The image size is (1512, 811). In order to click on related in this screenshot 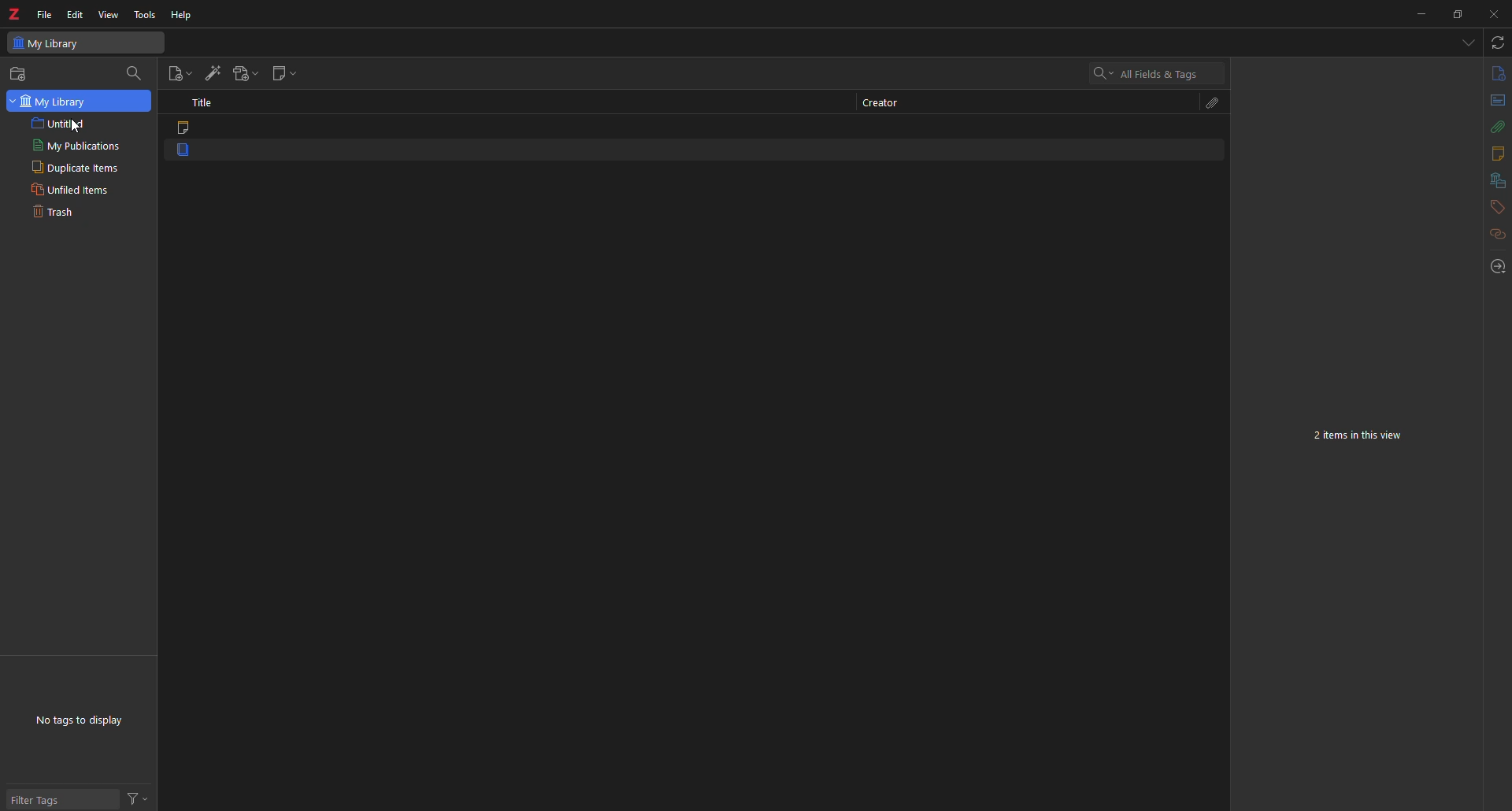, I will do `click(1499, 235)`.